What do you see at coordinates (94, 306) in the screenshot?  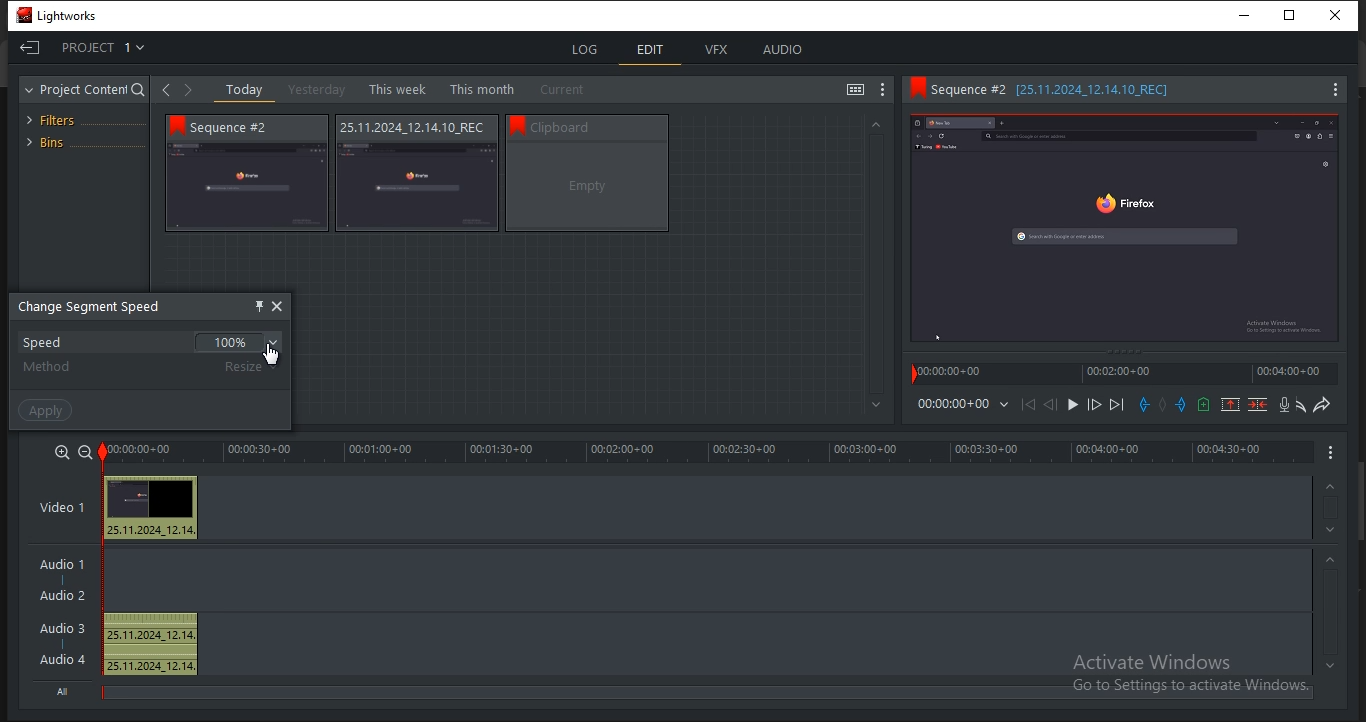 I see `change segment speed` at bounding box center [94, 306].